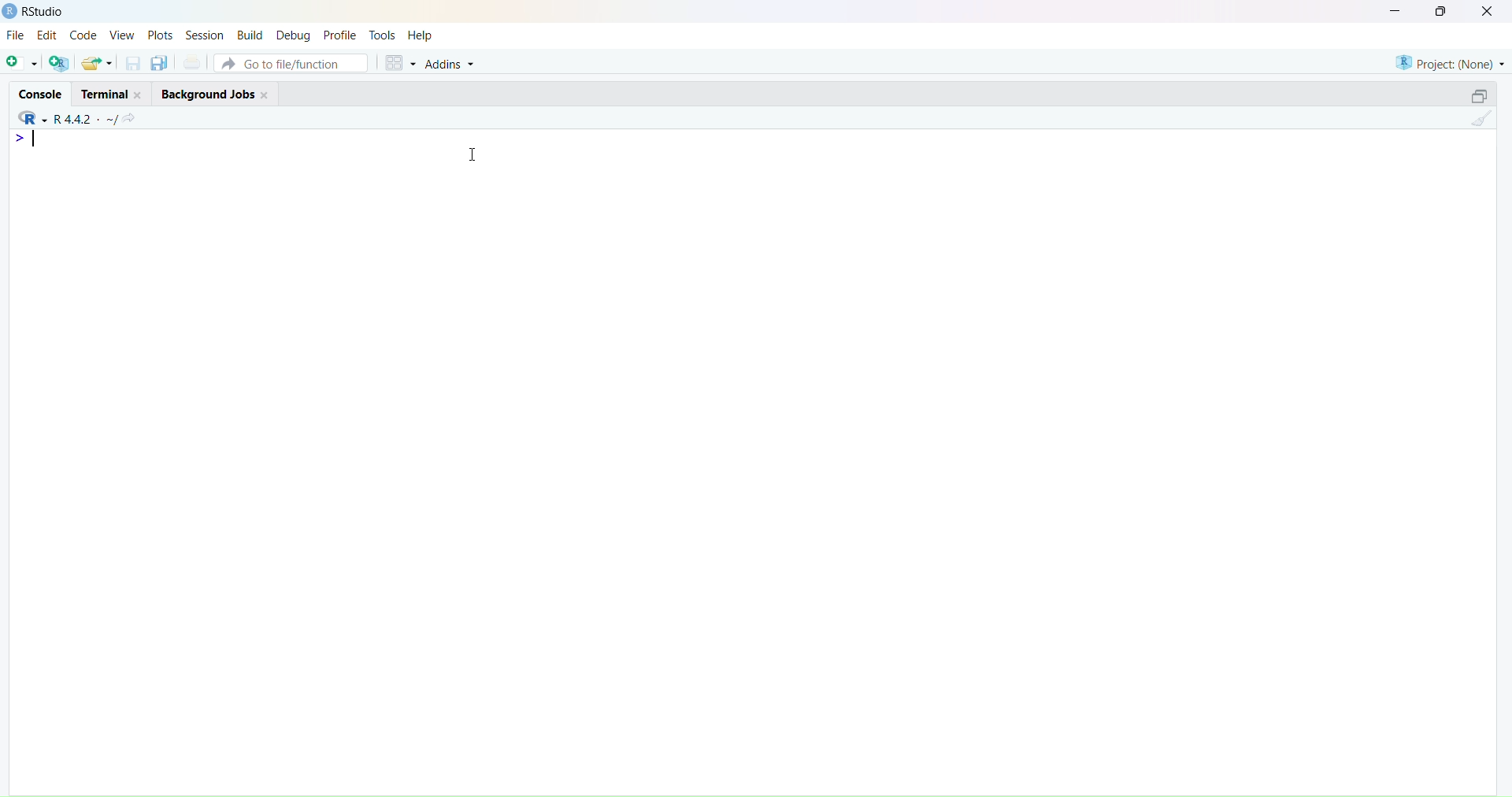  I want to click on maiximise, so click(1440, 11).